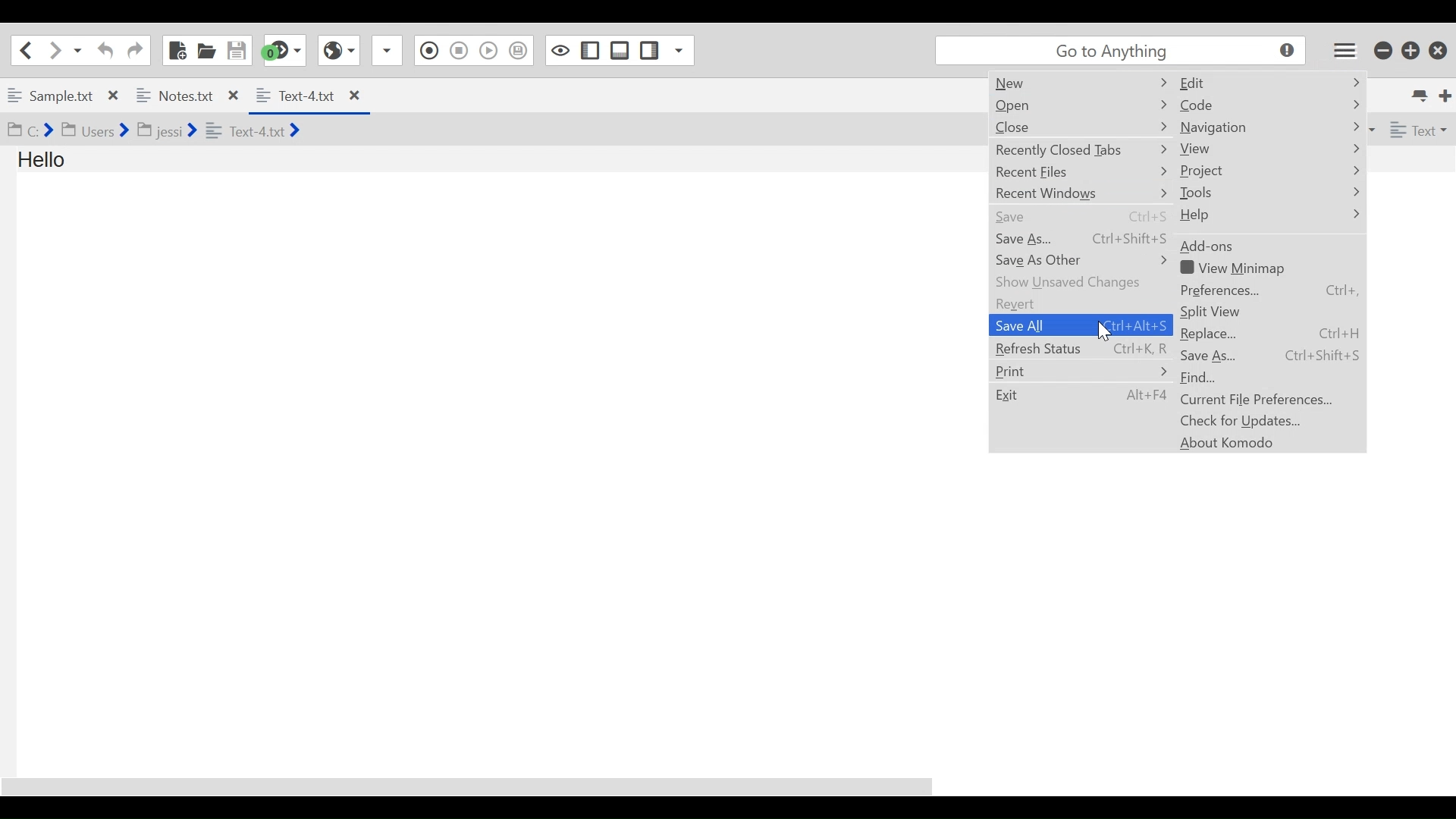 The height and width of the screenshot is (819, 1456). I want to click on Revert, so click(1030, 303).